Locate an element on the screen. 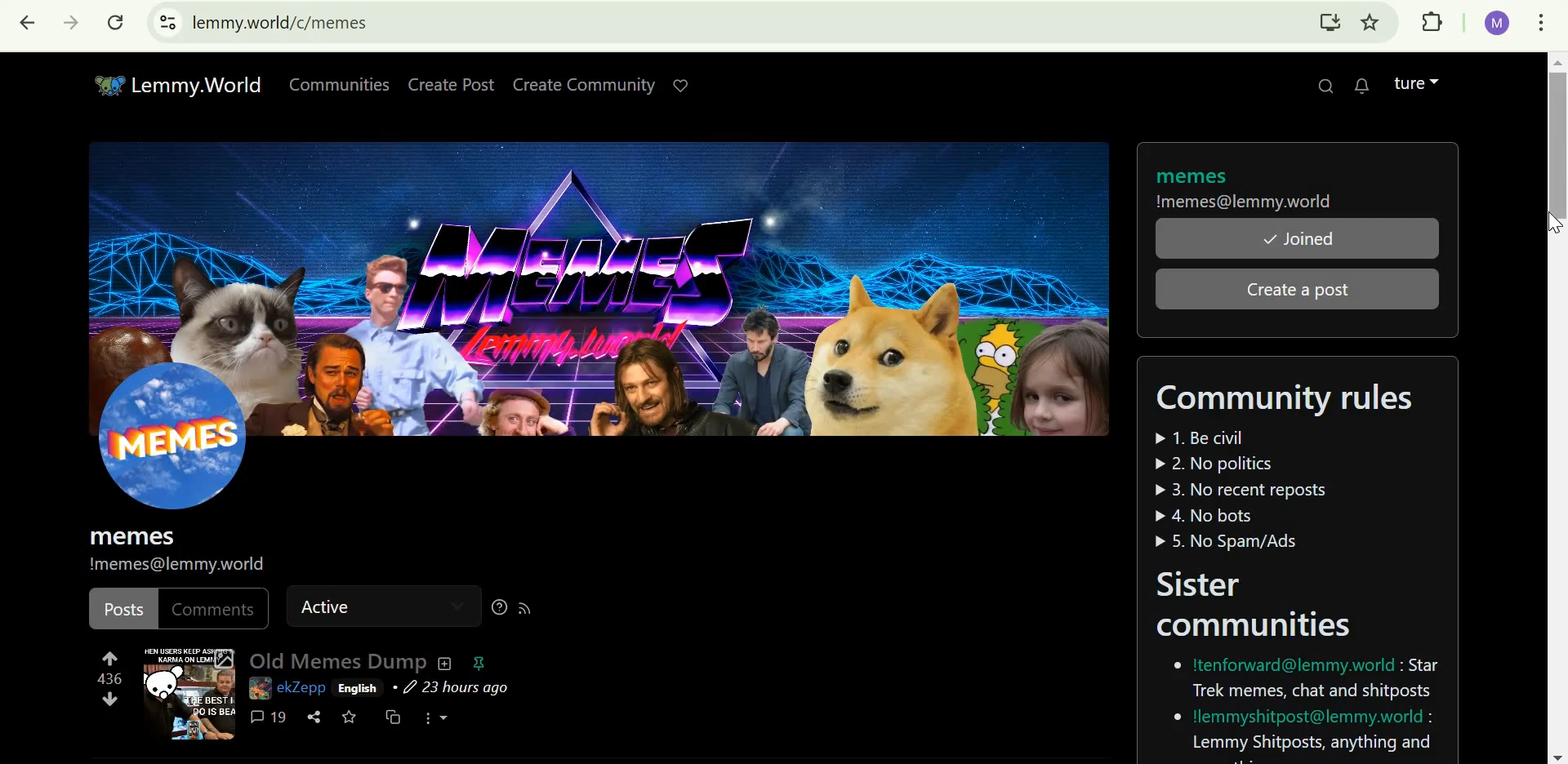 The image size is (1568, 764). profile icon is located at coordinates (179, 477).